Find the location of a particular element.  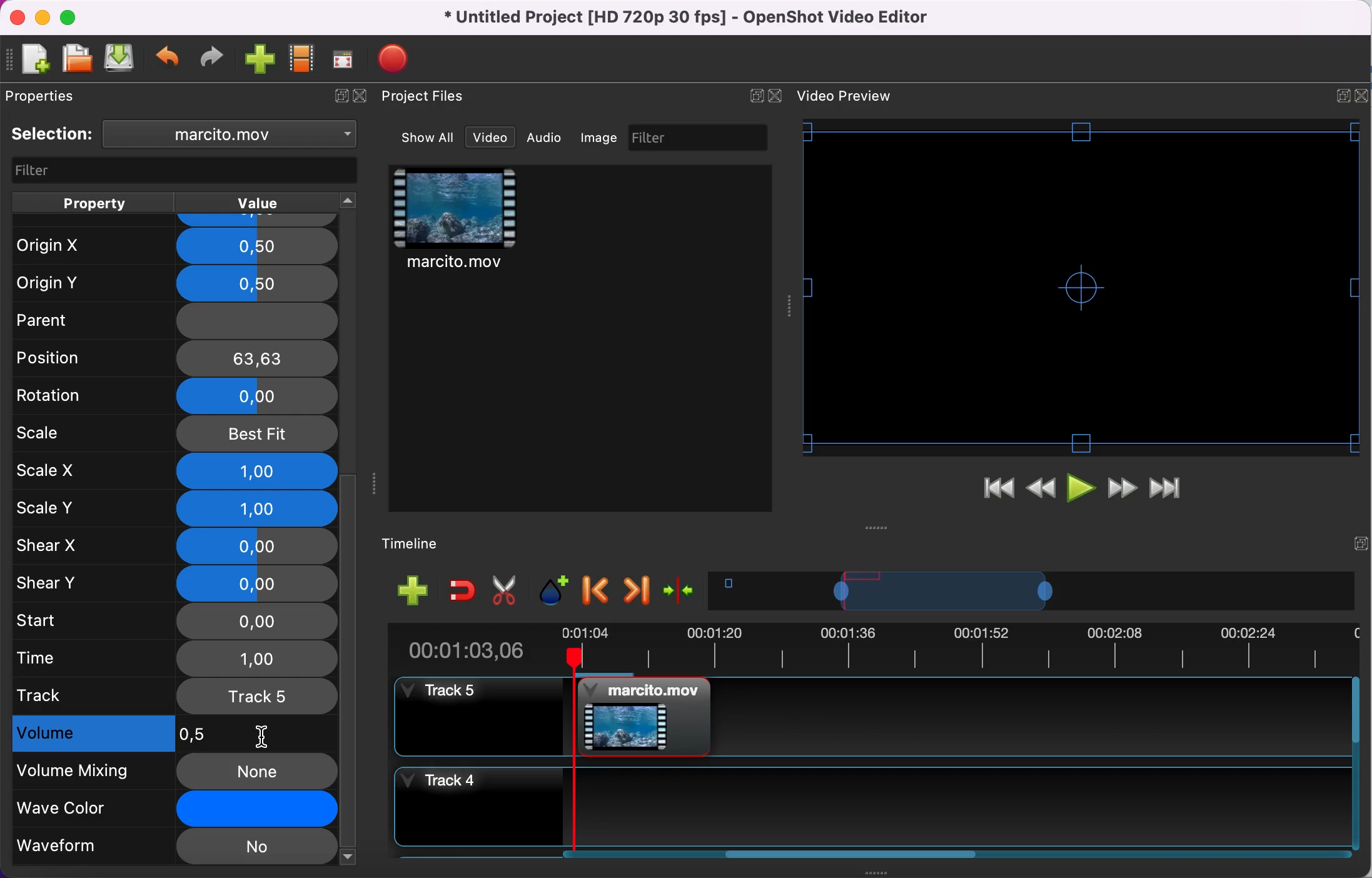

add marker is located at coordinates (556, 591).